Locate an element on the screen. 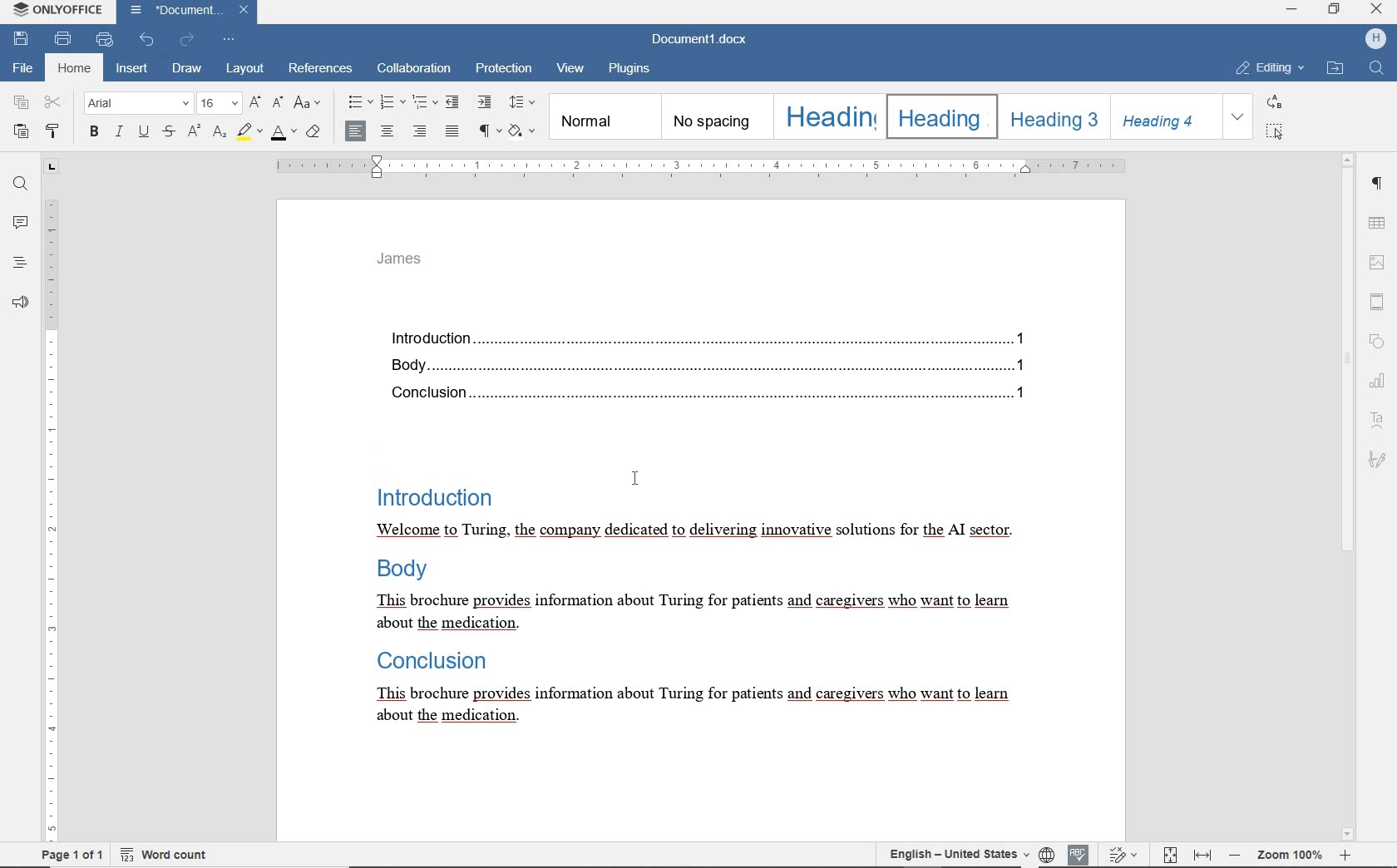 The height and width of the screenshot is (868, 1397). italic is located at coordinates (120, 132).